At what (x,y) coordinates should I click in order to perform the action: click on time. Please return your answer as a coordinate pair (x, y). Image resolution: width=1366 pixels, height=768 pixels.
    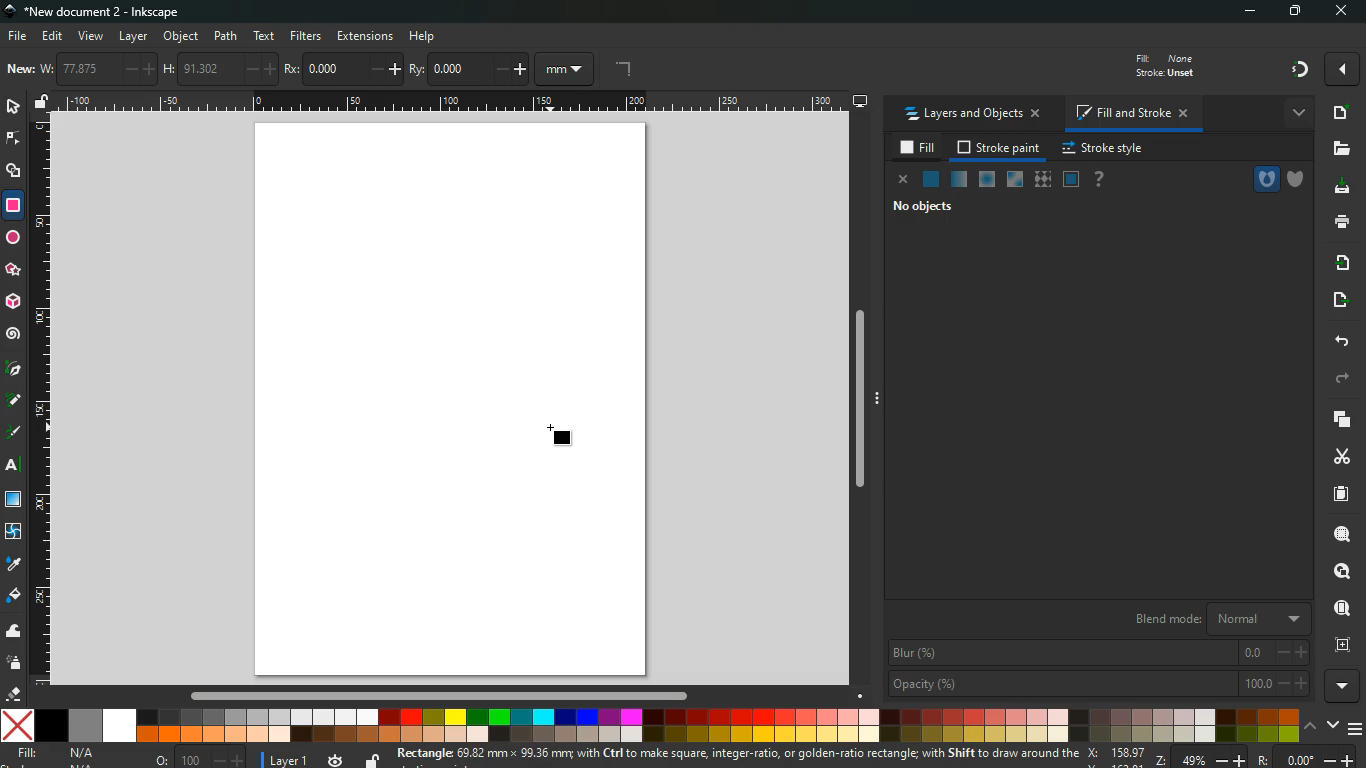
    Looking at the image, I should click on (333, 759).